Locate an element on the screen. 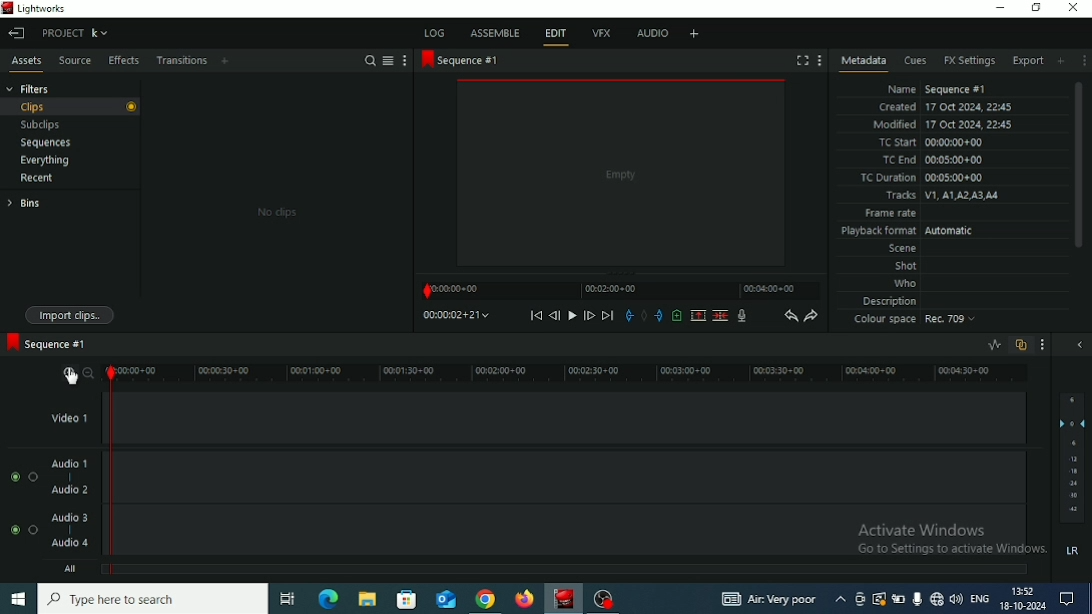 This screenshot has height=614, width=1092. Scene is located at coordinates (902, 250).